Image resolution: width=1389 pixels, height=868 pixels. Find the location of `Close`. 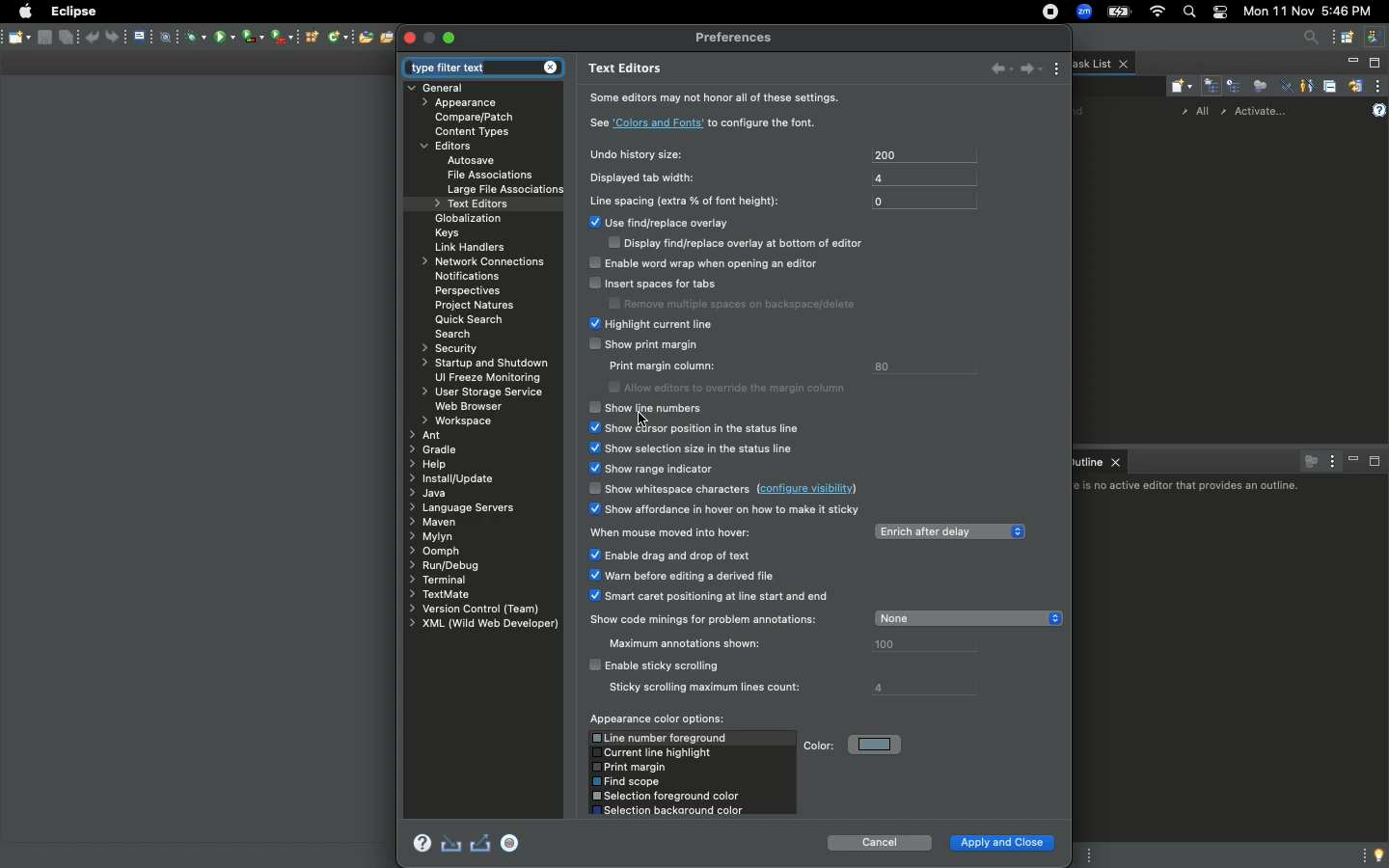

Close is located at coordinates (410, 38).